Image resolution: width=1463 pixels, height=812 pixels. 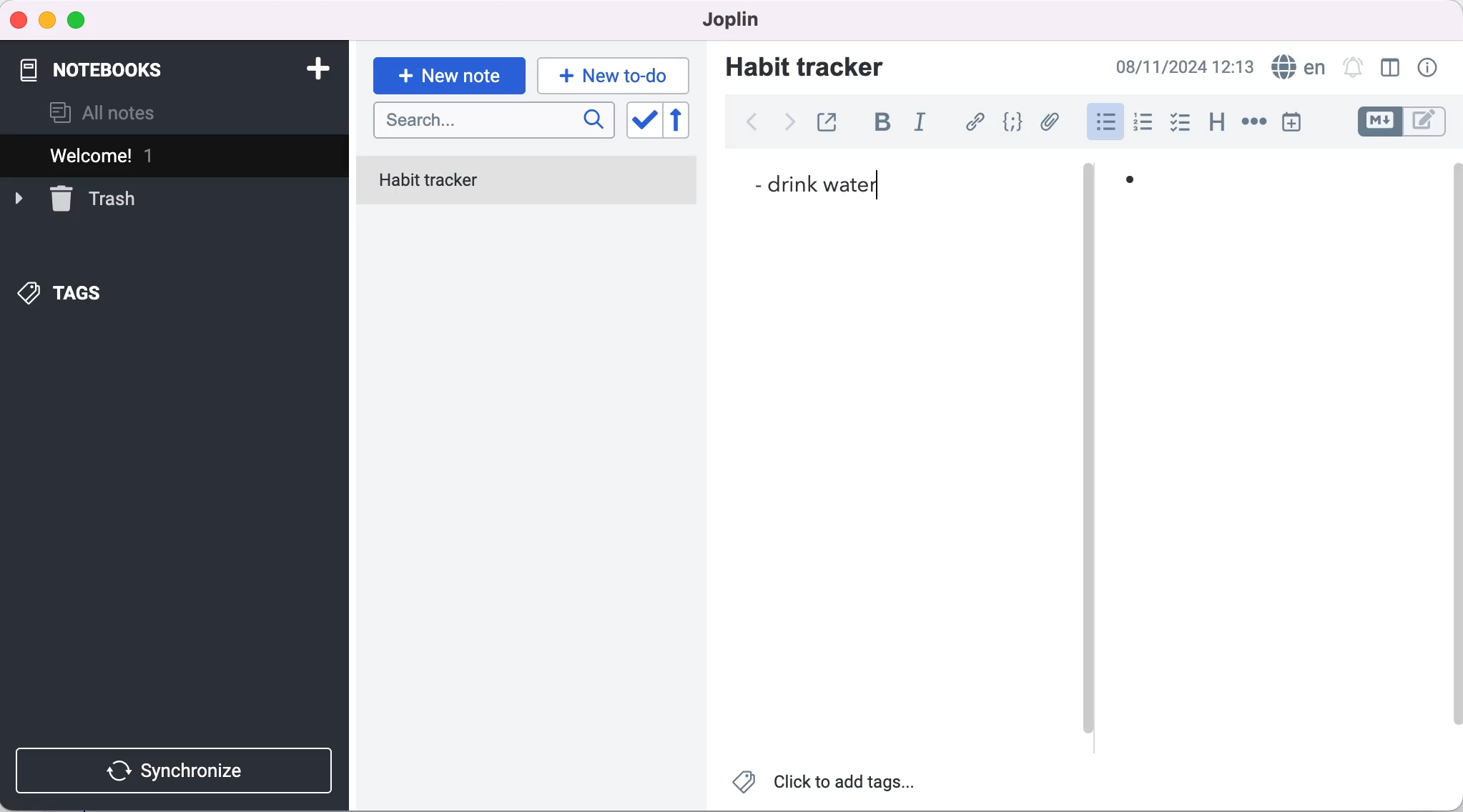 I want to click on bulleted list, so click(x=1106, y=122).